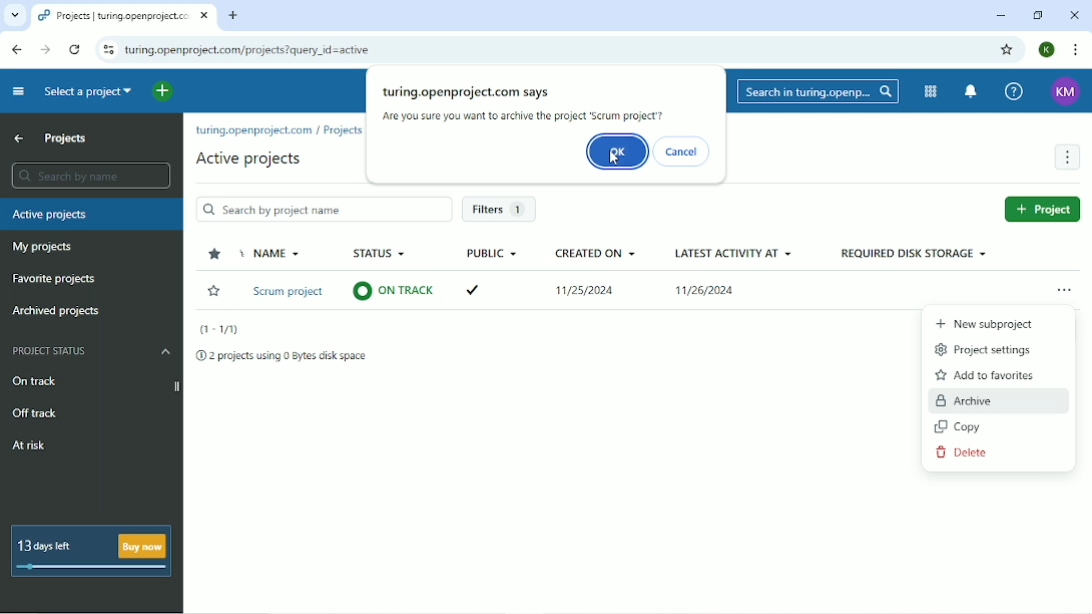 The width and height of the screenshot is (1092, 614). What do you see at coordinates (1065, 92) in the screenshot?
I see `KM` at bounding box center [1065, 92].